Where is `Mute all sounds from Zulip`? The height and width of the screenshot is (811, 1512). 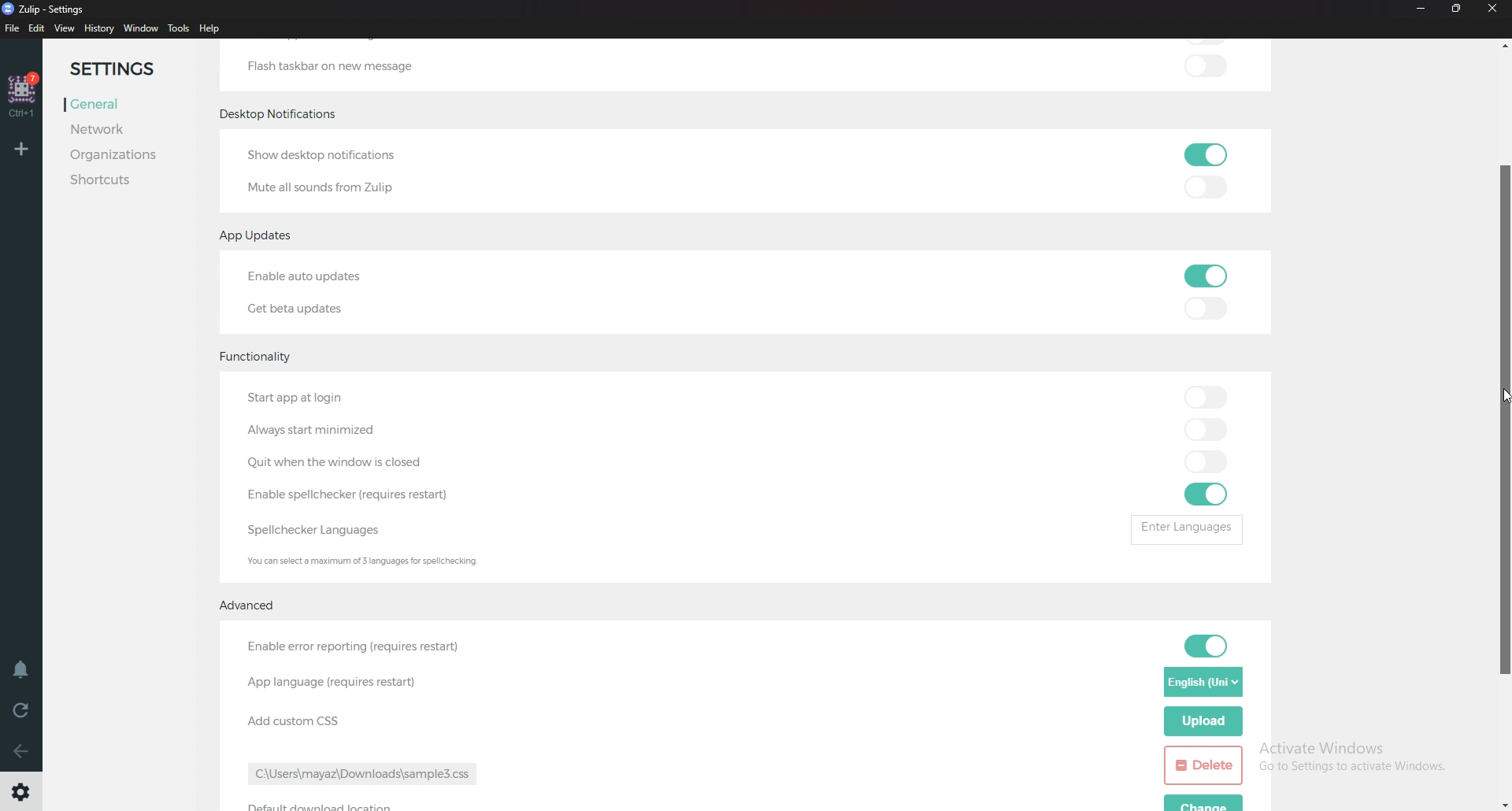 Mute all sounds from Zulip is located at coordinates (320, 187).